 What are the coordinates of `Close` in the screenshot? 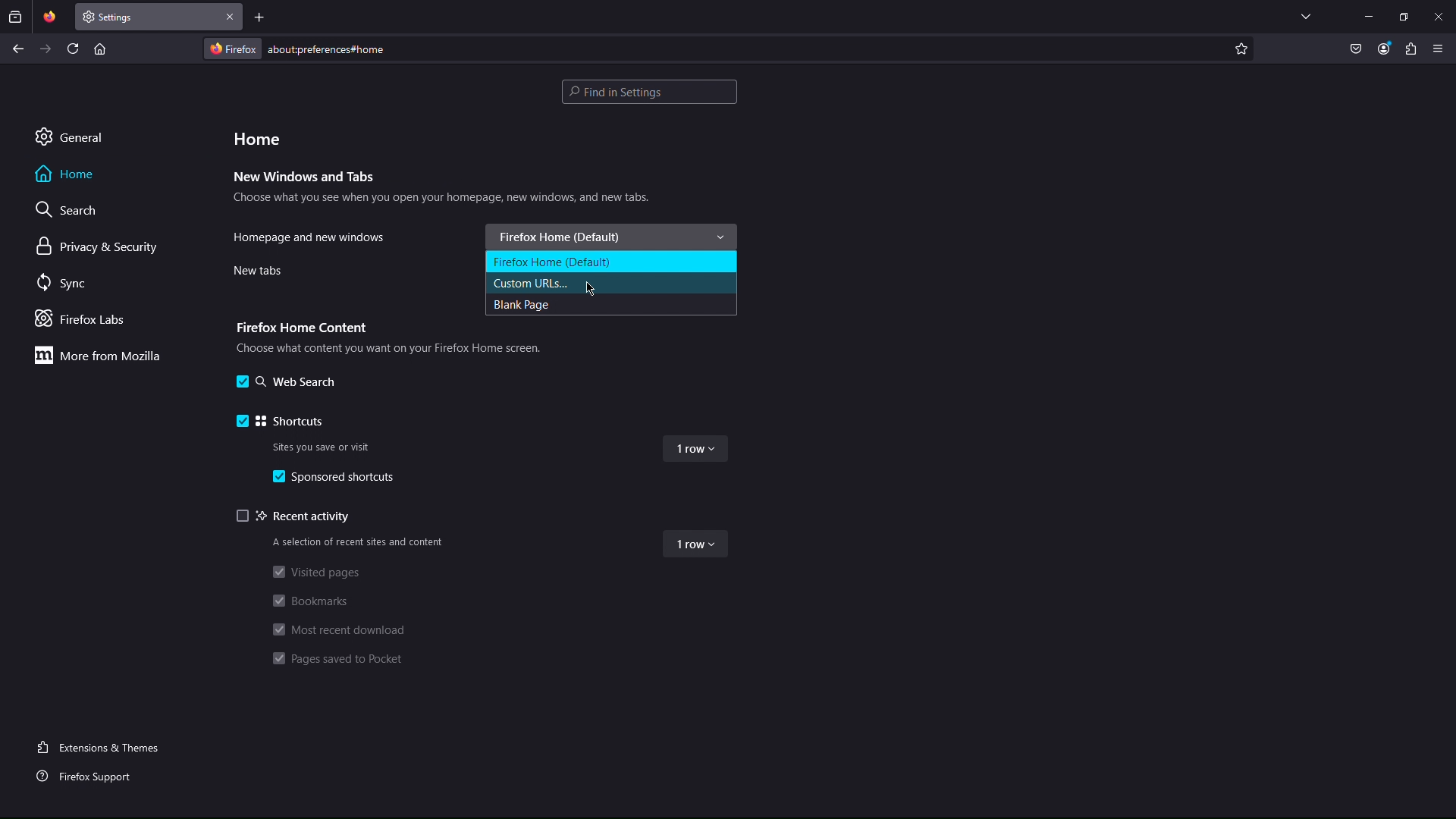 It's located at (231, 17).